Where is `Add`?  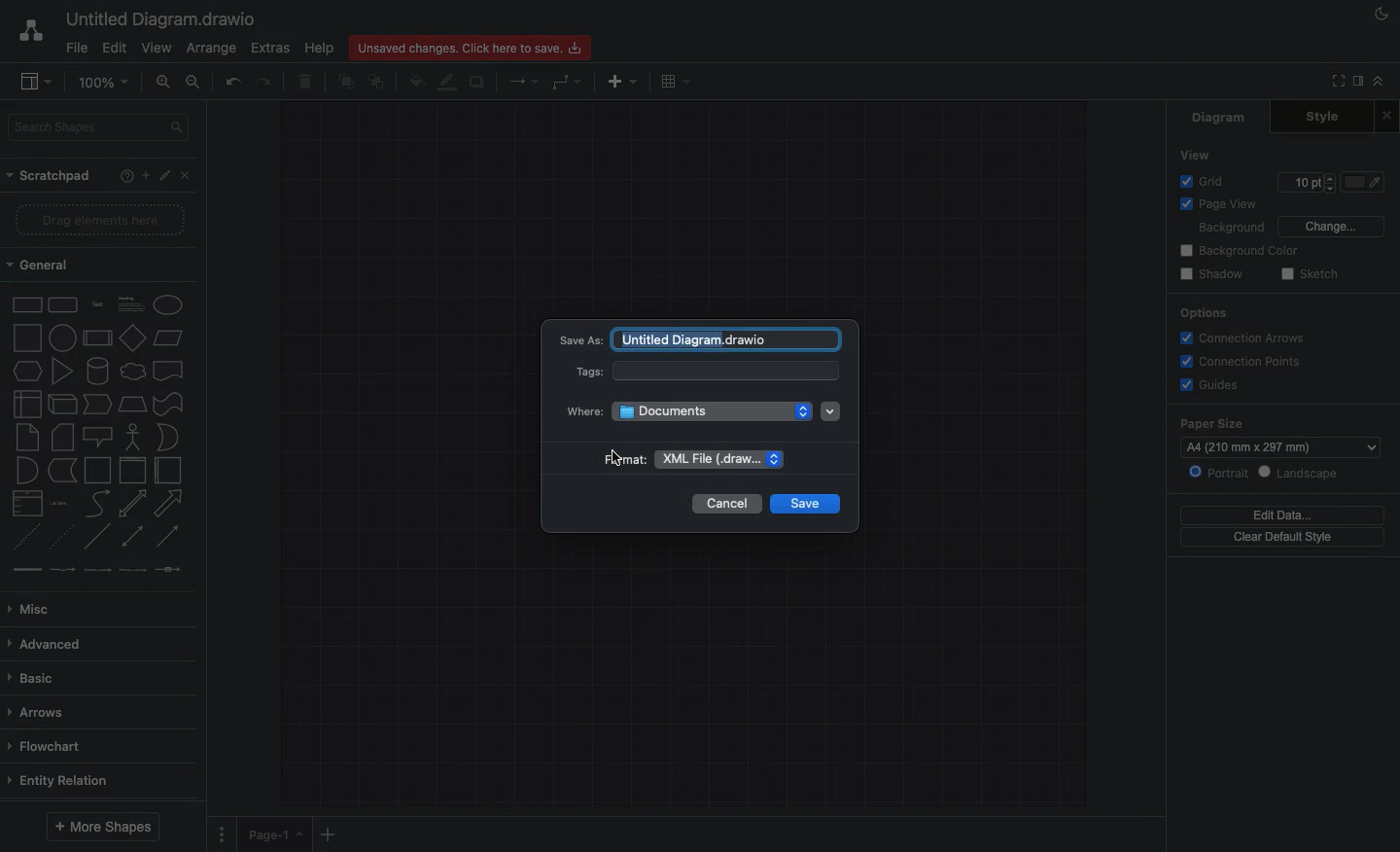 Add is located at coordinates (327, 834).